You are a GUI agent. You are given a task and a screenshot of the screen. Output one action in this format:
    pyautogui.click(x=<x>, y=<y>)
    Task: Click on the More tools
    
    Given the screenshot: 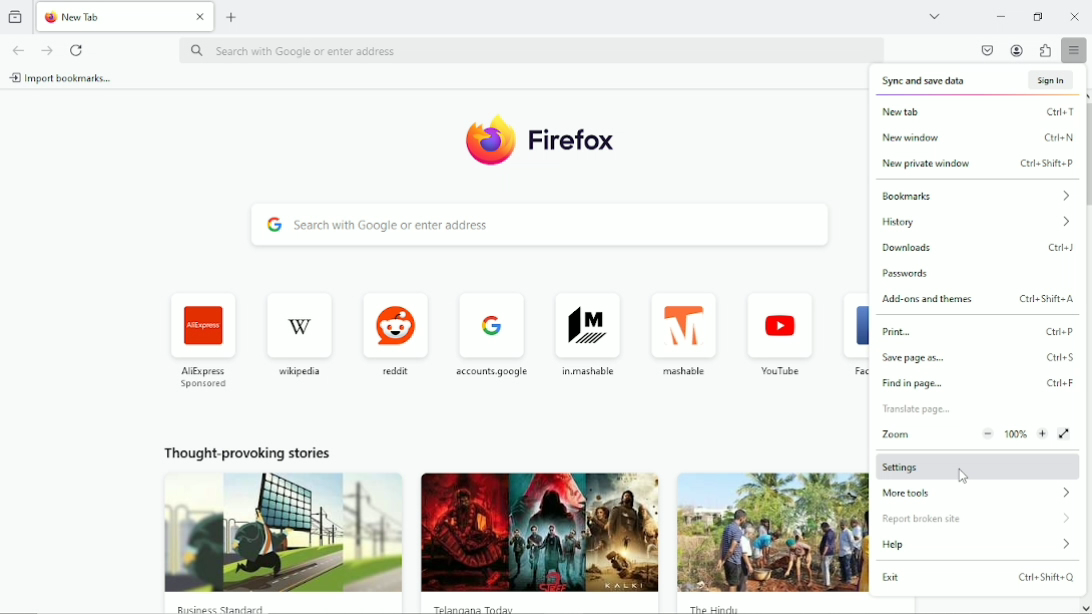 What is the action you would take?
    pyautogui.click(x=975, y=493)
    